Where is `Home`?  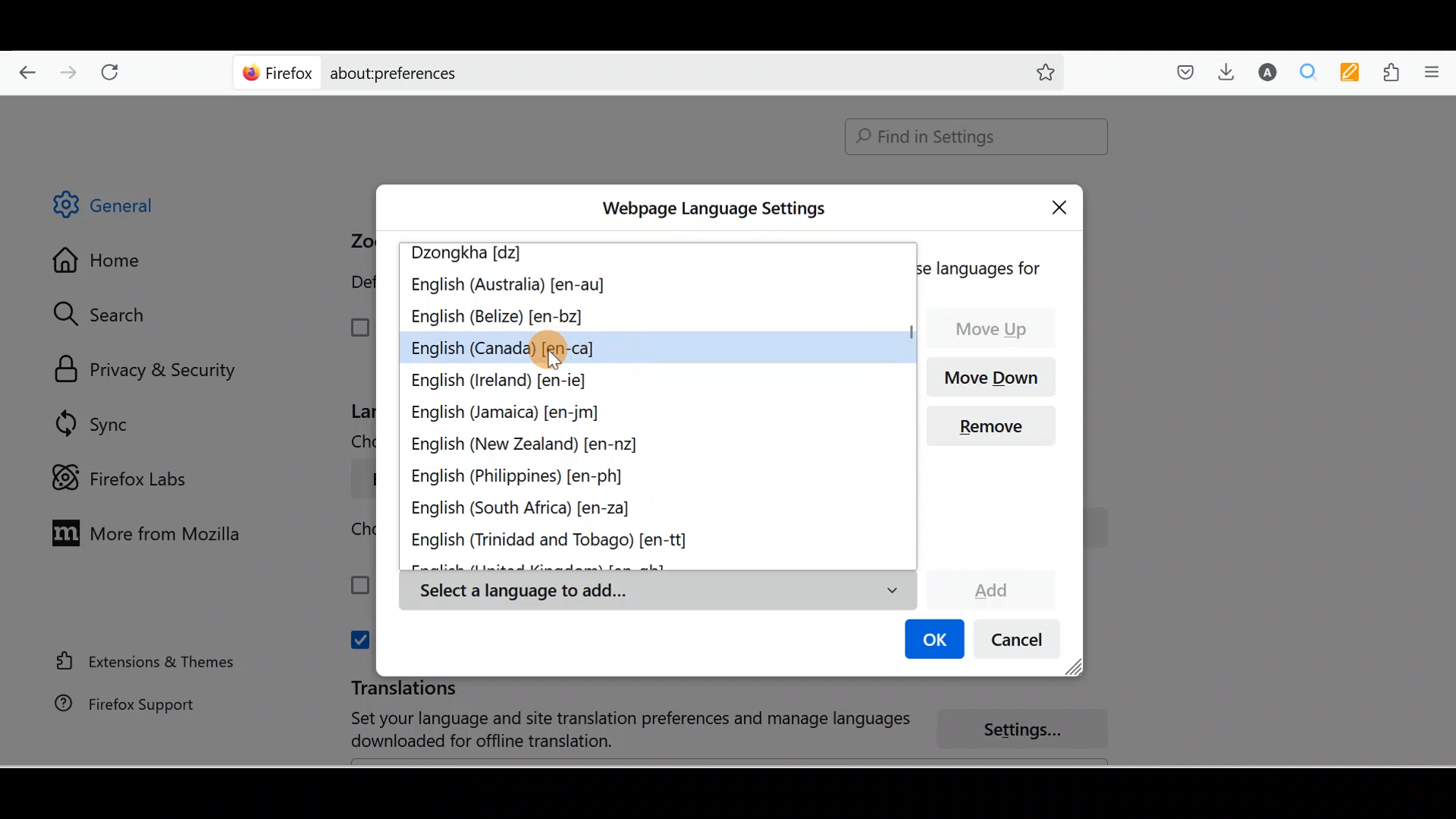 Home is located at coordinates (108, 264).